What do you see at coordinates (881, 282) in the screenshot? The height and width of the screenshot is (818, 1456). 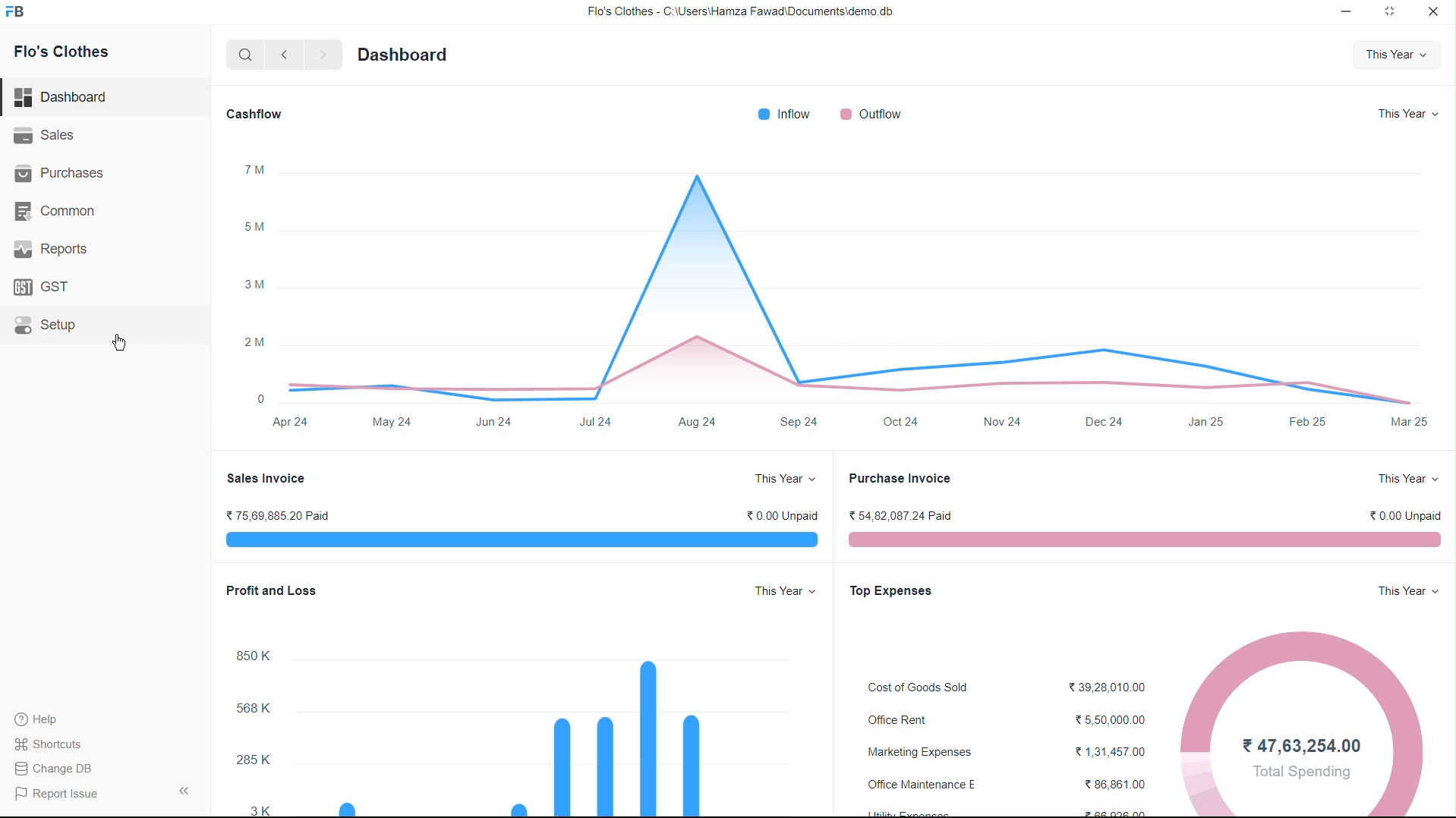 I see `Graph` at bounding box center [881, 282].